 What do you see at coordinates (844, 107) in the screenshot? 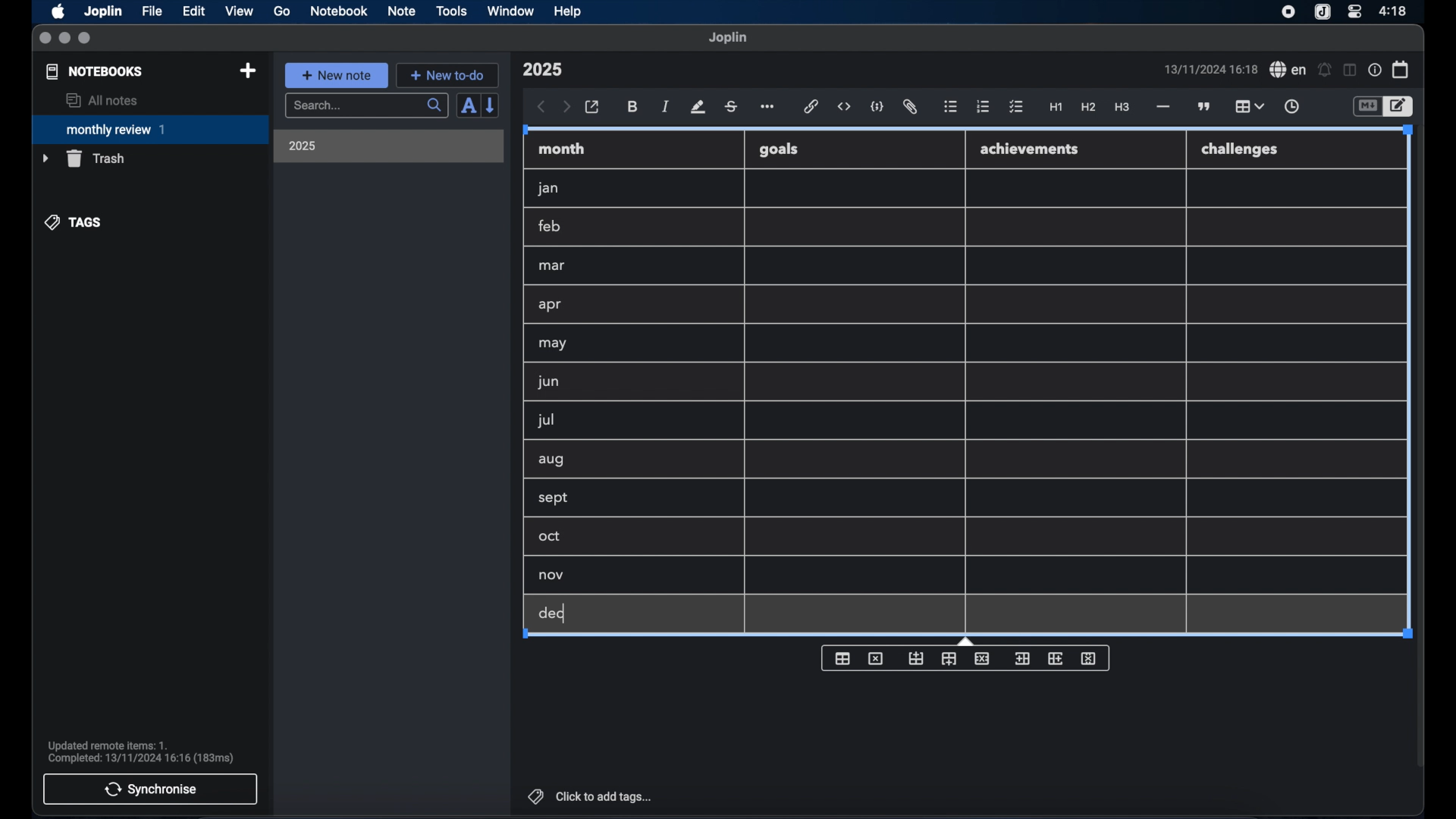
I see `inline code` at bounding box center [844, 107].